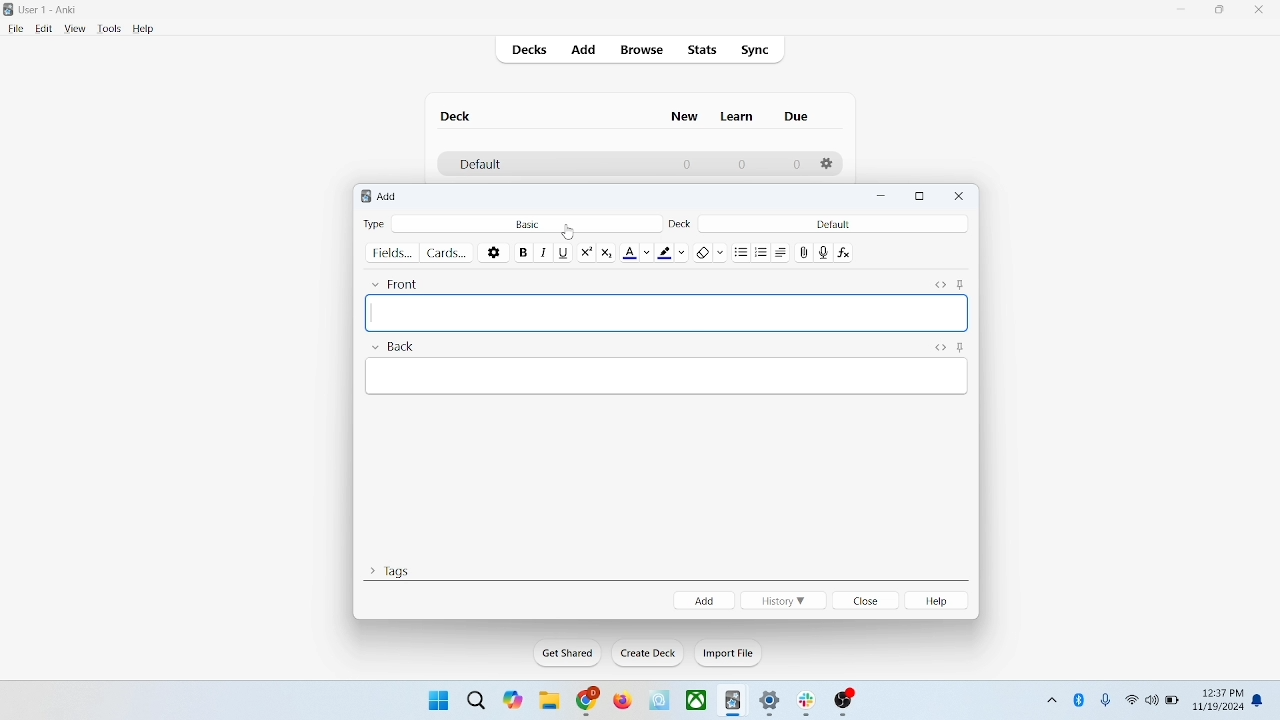 This screenshot has height=720, width=1280. What do you see at coordinates (960, 348) in the screenshot?
I see `sticky` at bounding box center [960, 348].